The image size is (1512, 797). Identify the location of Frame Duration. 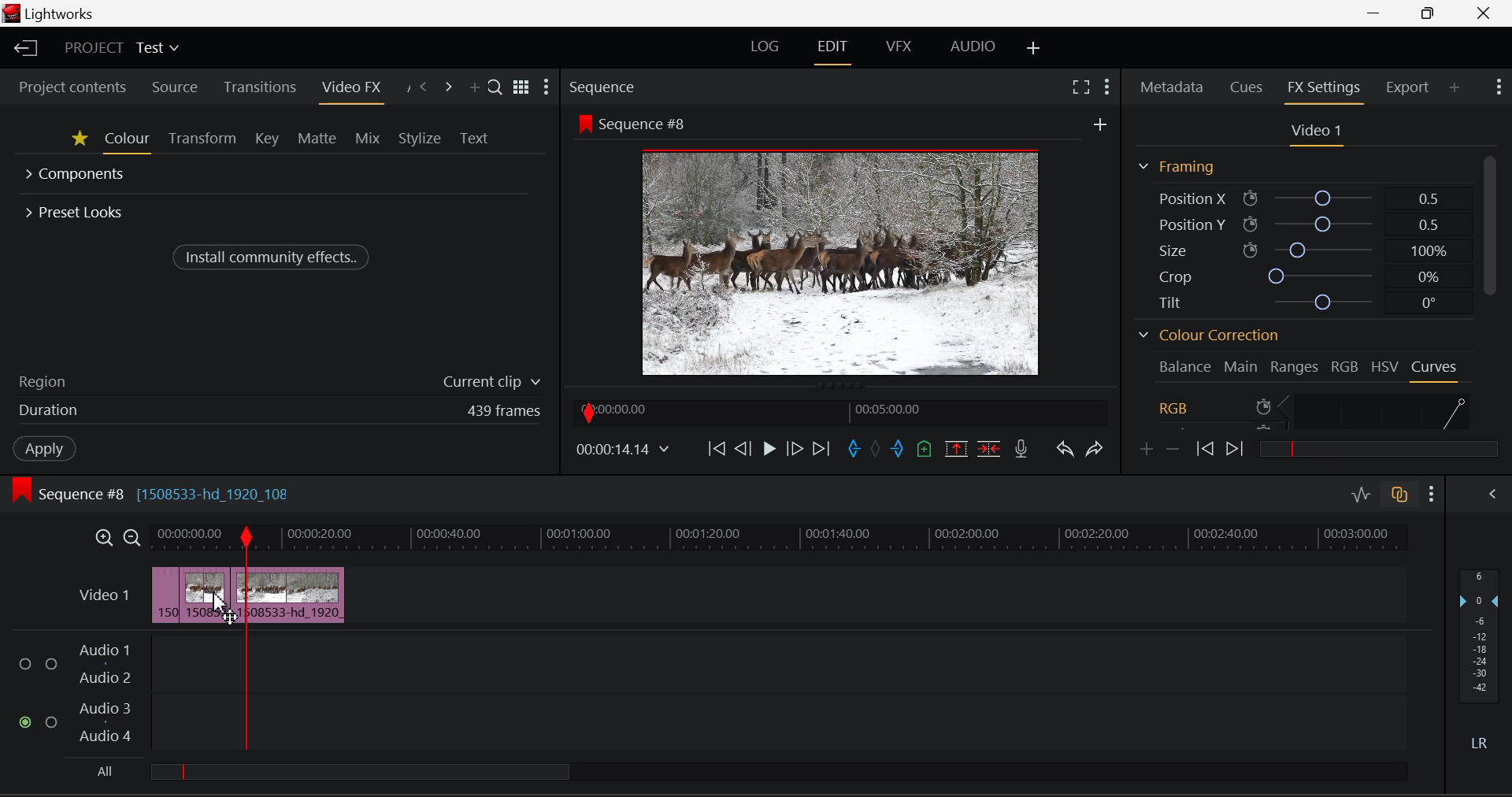
(280, 411).